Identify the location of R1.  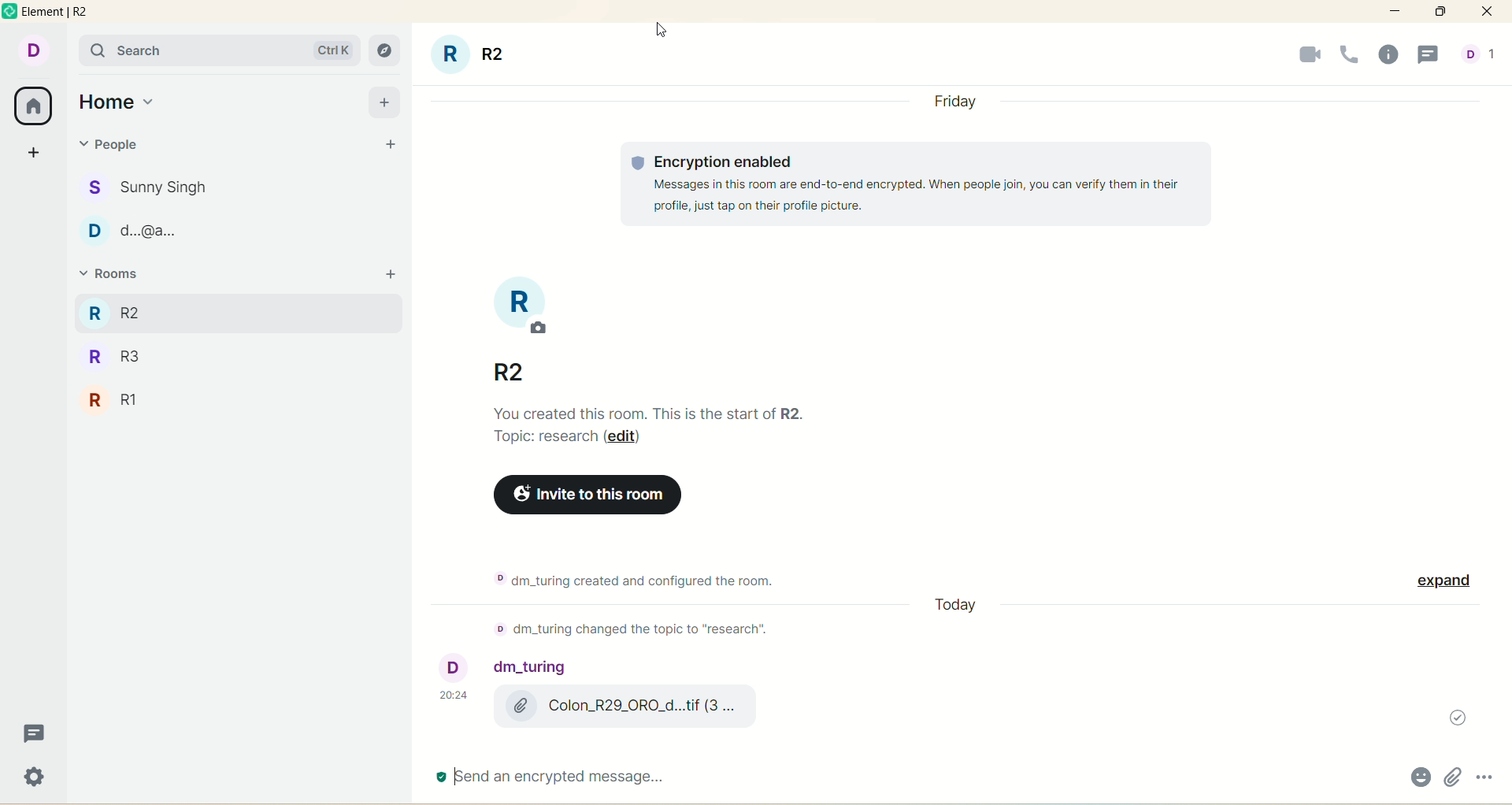
(119, 402).